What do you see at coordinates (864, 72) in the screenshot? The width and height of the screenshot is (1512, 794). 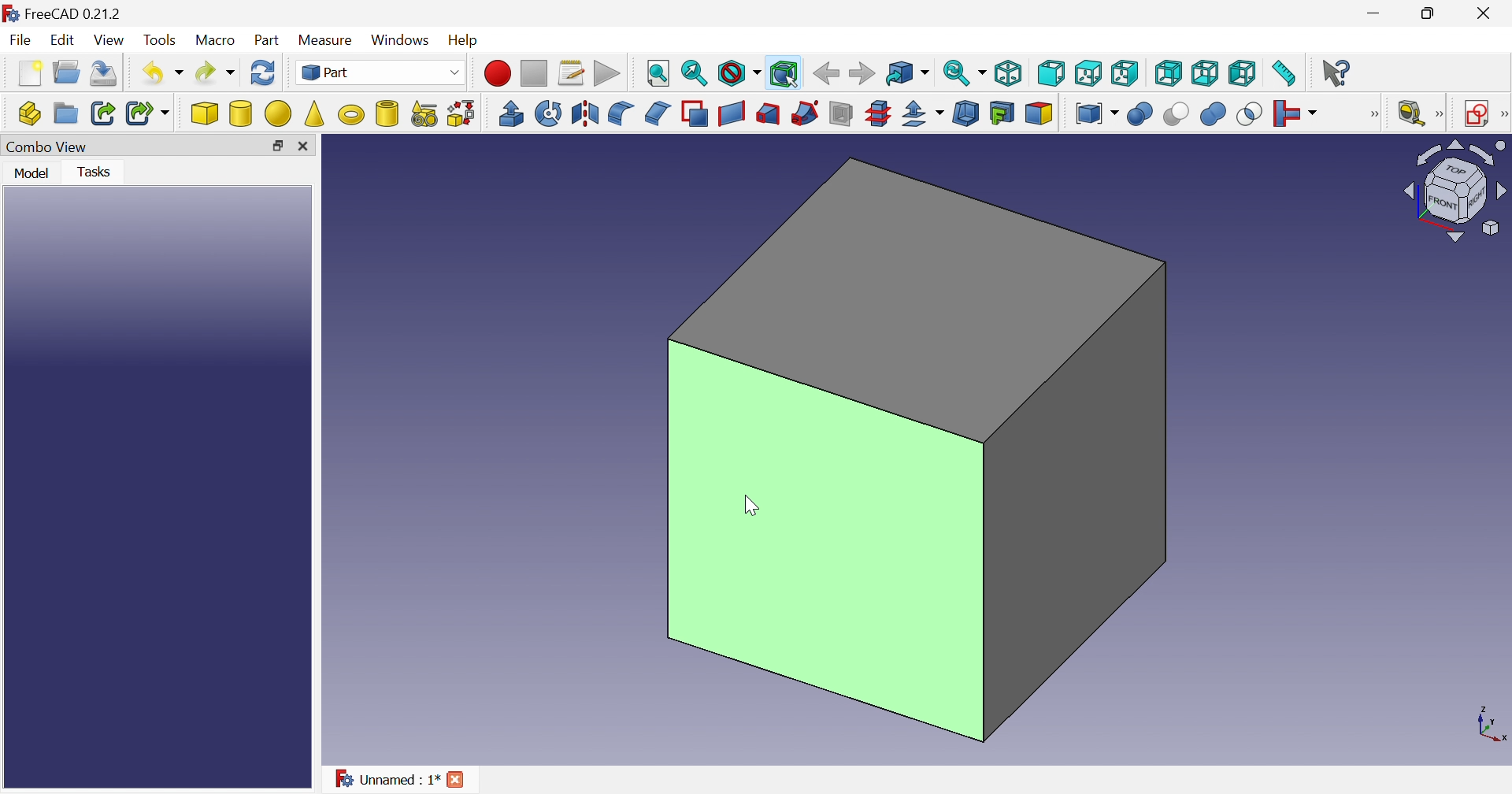 I see `Forward` at bounding box center [864, 72].